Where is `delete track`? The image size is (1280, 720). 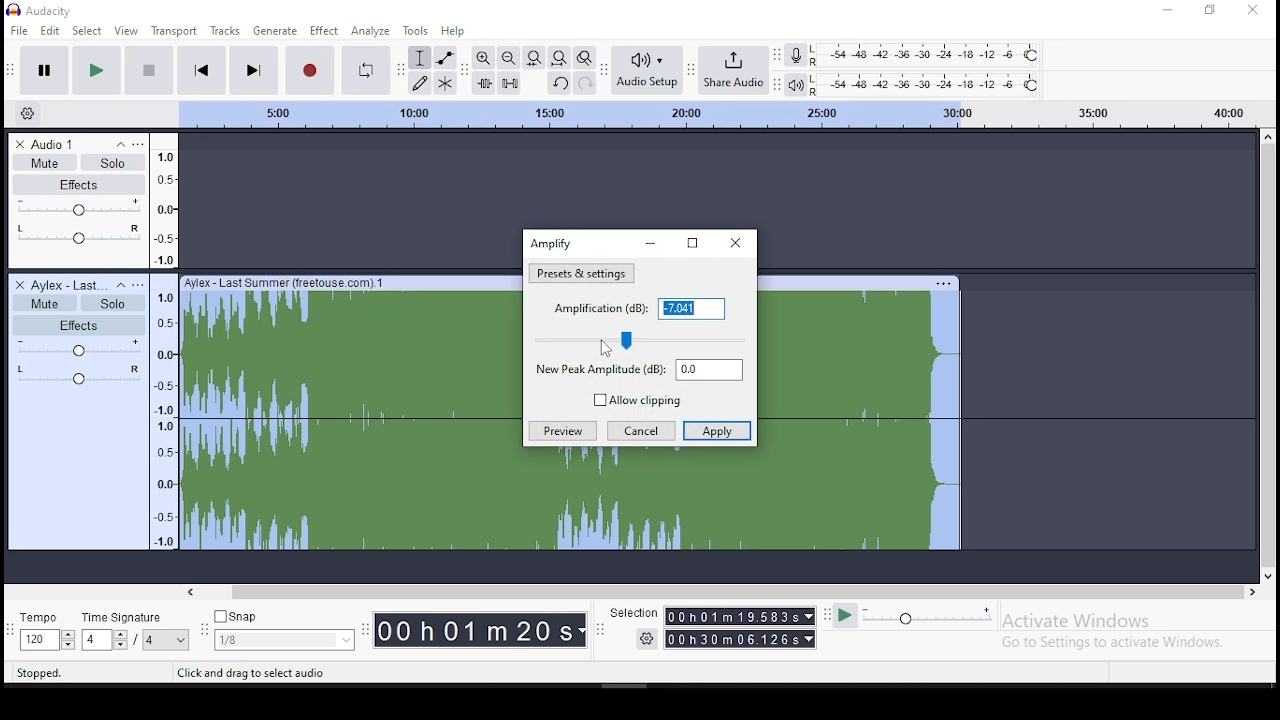 delete track is located at coordinates (21, 143).